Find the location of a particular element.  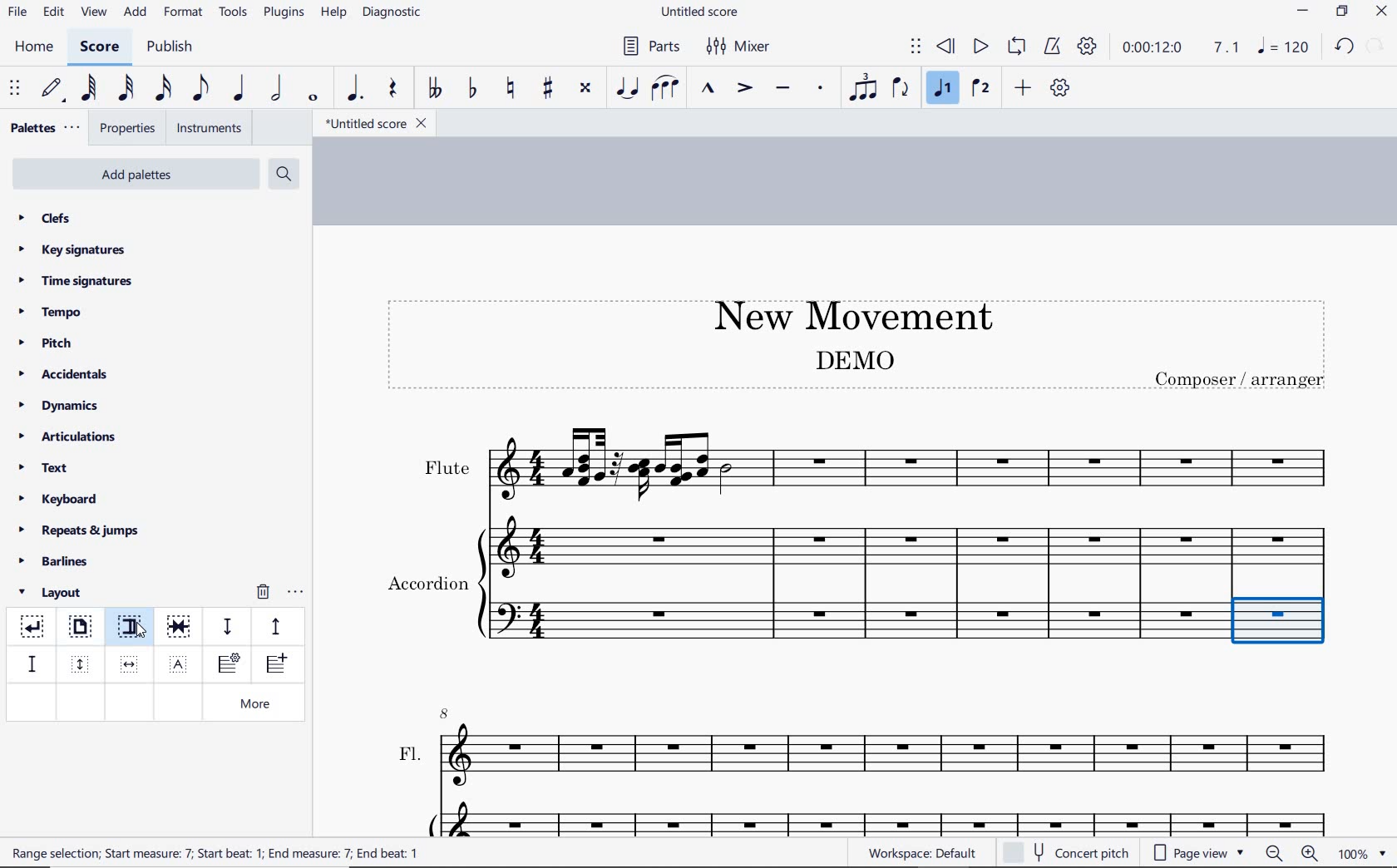

keep measure on the same system is located at coordinates (180, 627).